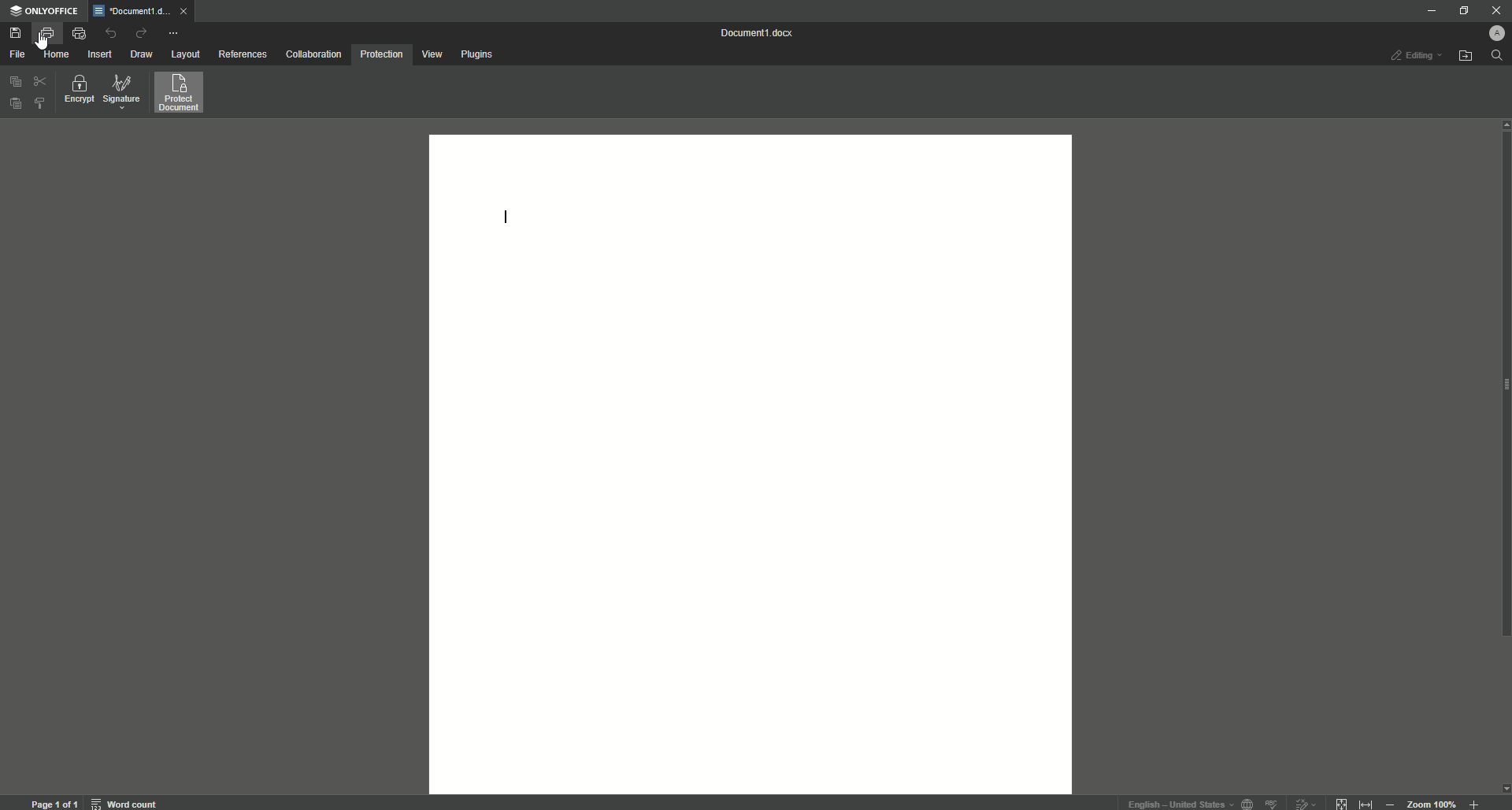 The image size is (1512, 810). Describe the element at coordinates (1306, 802) in the screenshot. I see `track changes` at that location.